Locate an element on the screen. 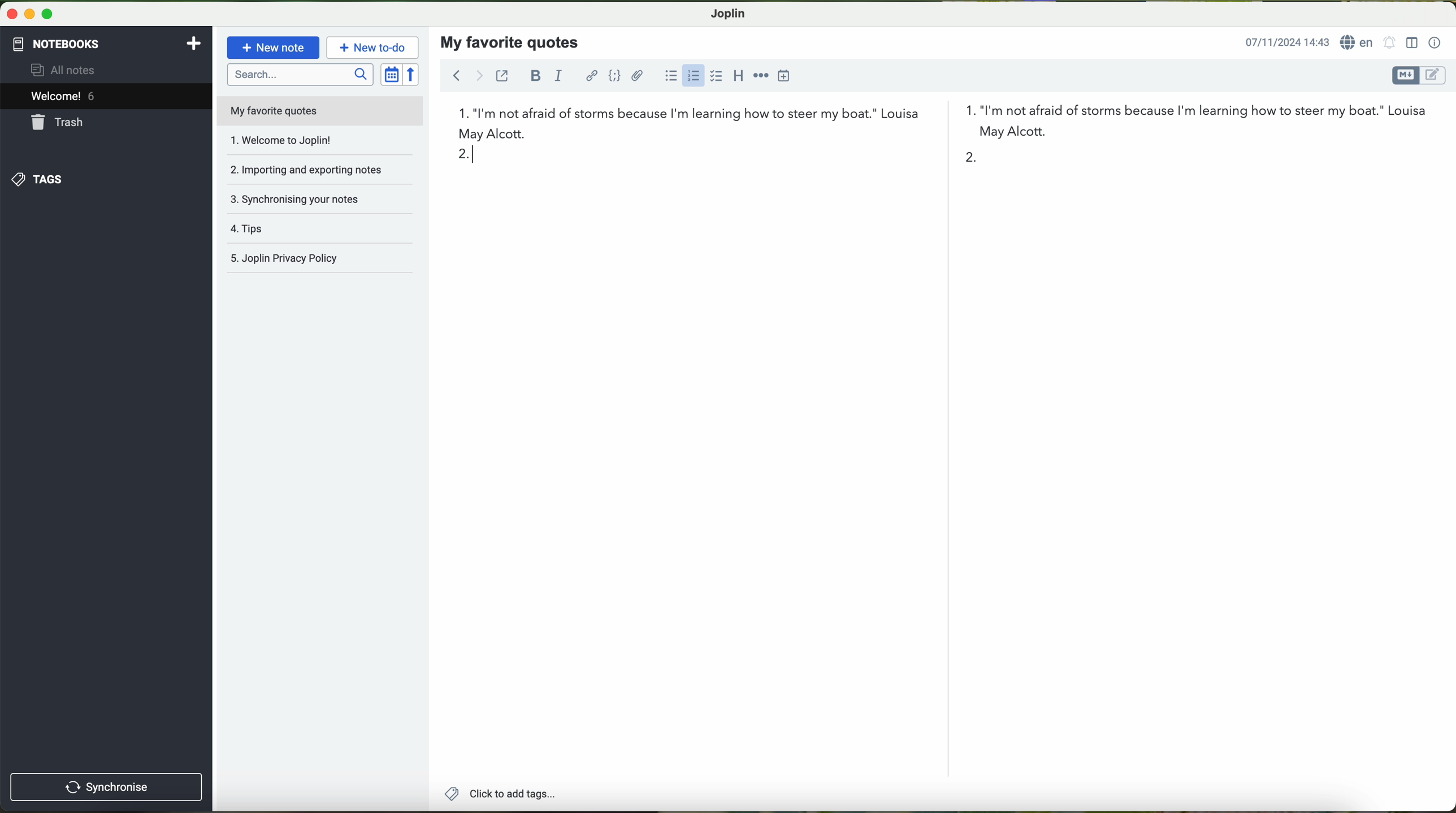 Image resolution: width=1456 pixels, height=813 pixels. Joplin privacy policy is located at coordinates (315, 259).